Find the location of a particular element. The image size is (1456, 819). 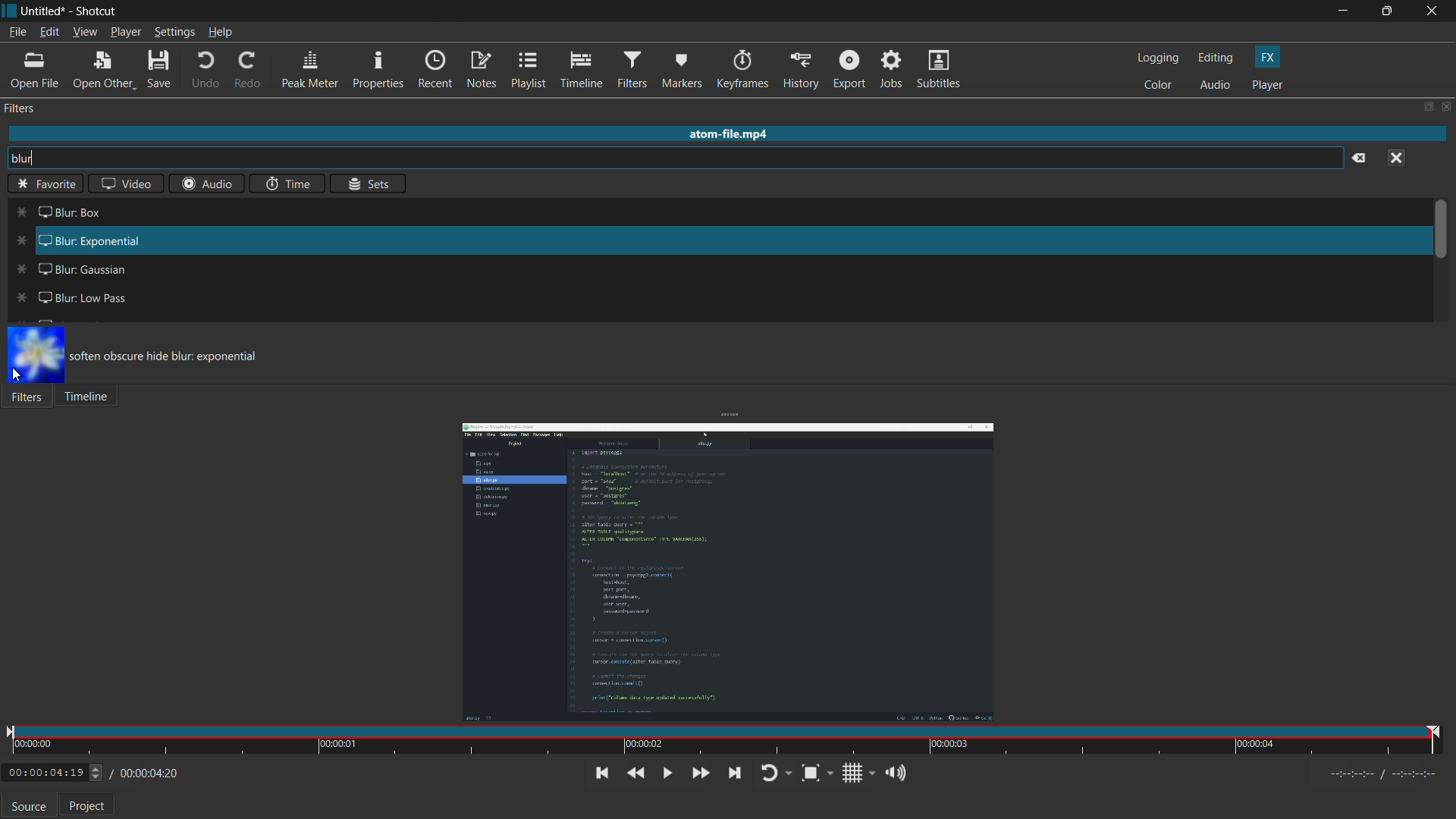

project is located at coordinates (89, 806).